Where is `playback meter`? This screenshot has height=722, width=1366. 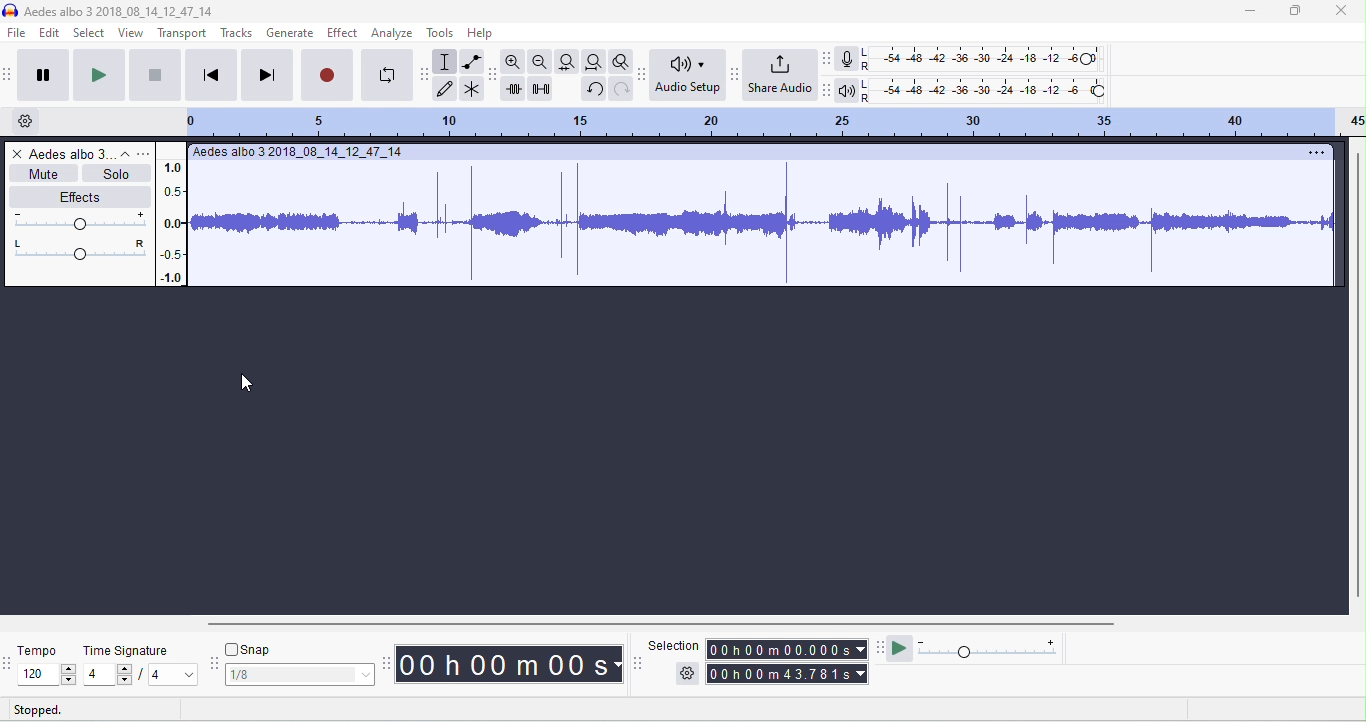 playback meter is located at coordinates (848, 91).